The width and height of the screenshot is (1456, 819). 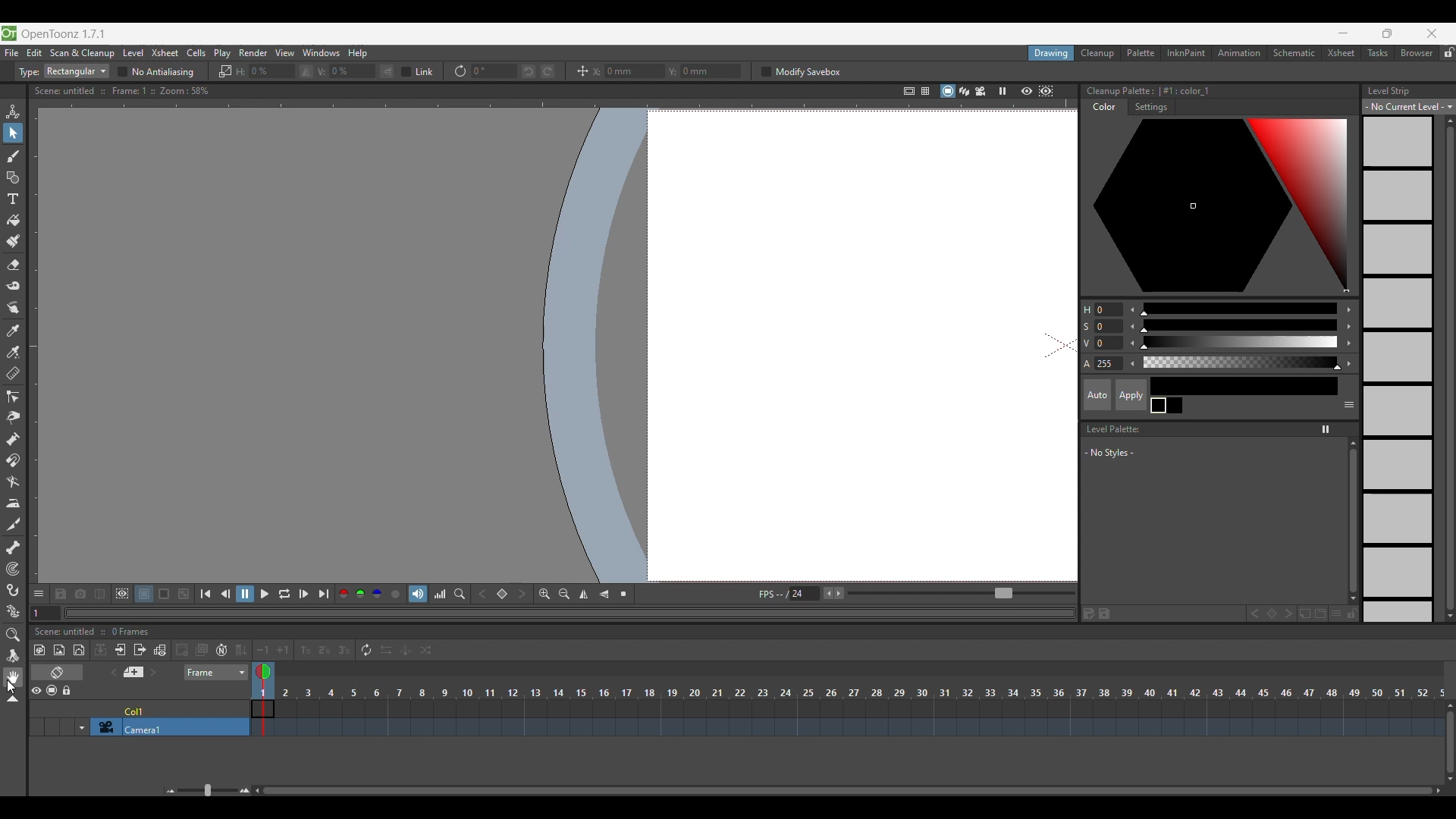 What do you see at coordinates (13, 504) in the screenshot?
I see `Iron tool` at bounding box center [13, 504].